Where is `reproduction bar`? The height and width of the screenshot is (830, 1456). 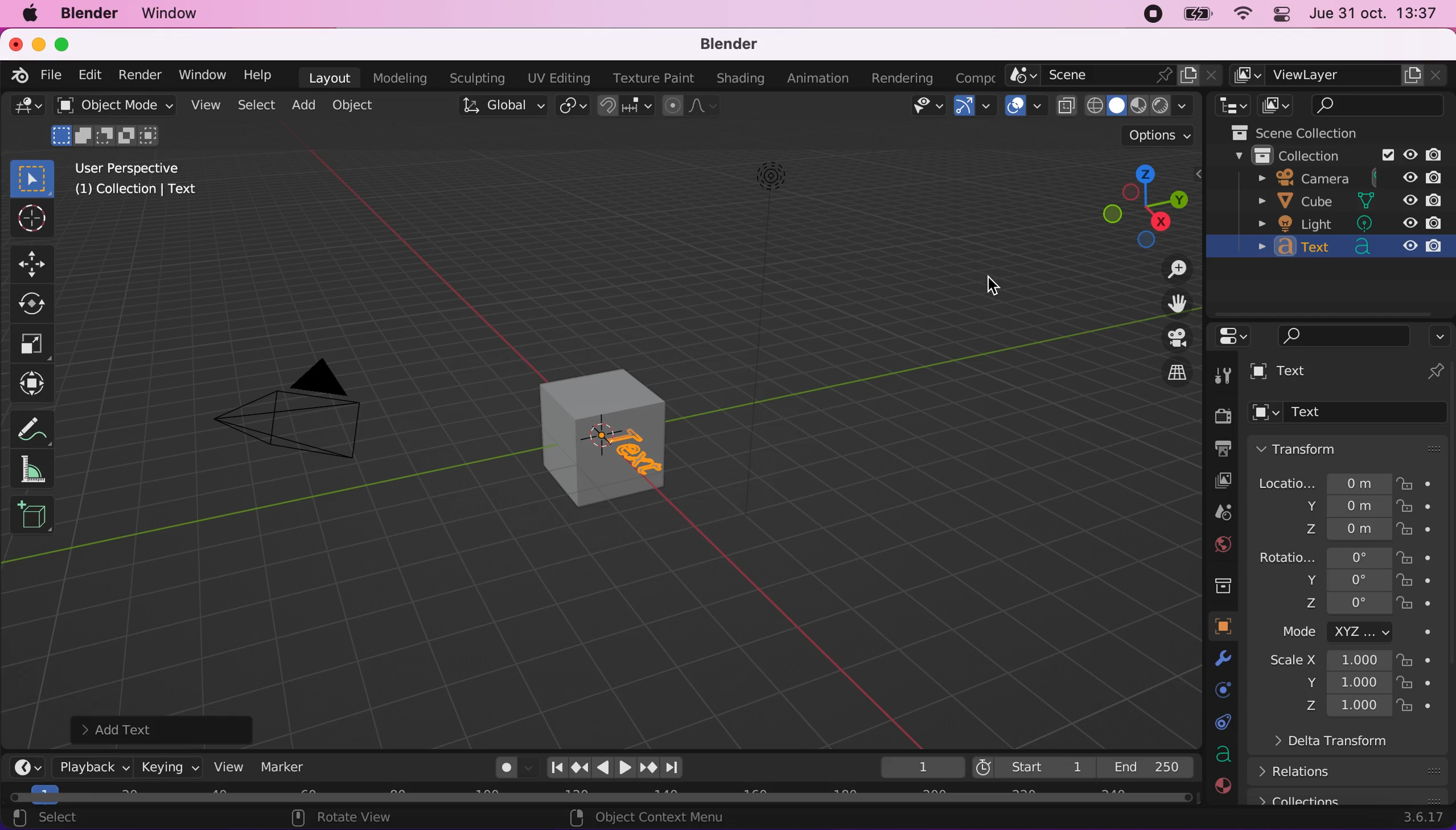 reproduction bar is located at coordinates (624, 767).